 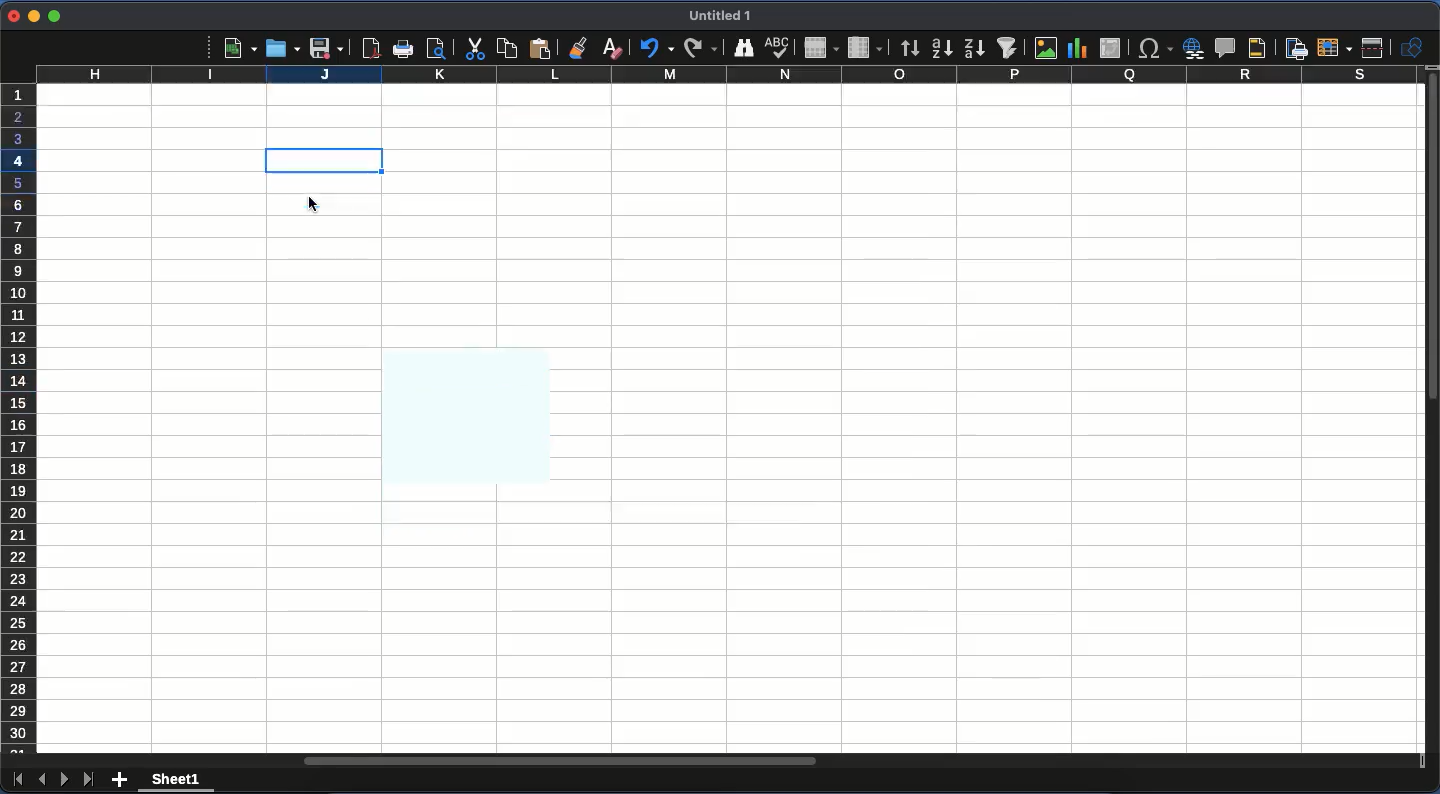 What do you see at coordinates (327, 49) in the screenshot?
I see `save` at bounding box center [327, 49].